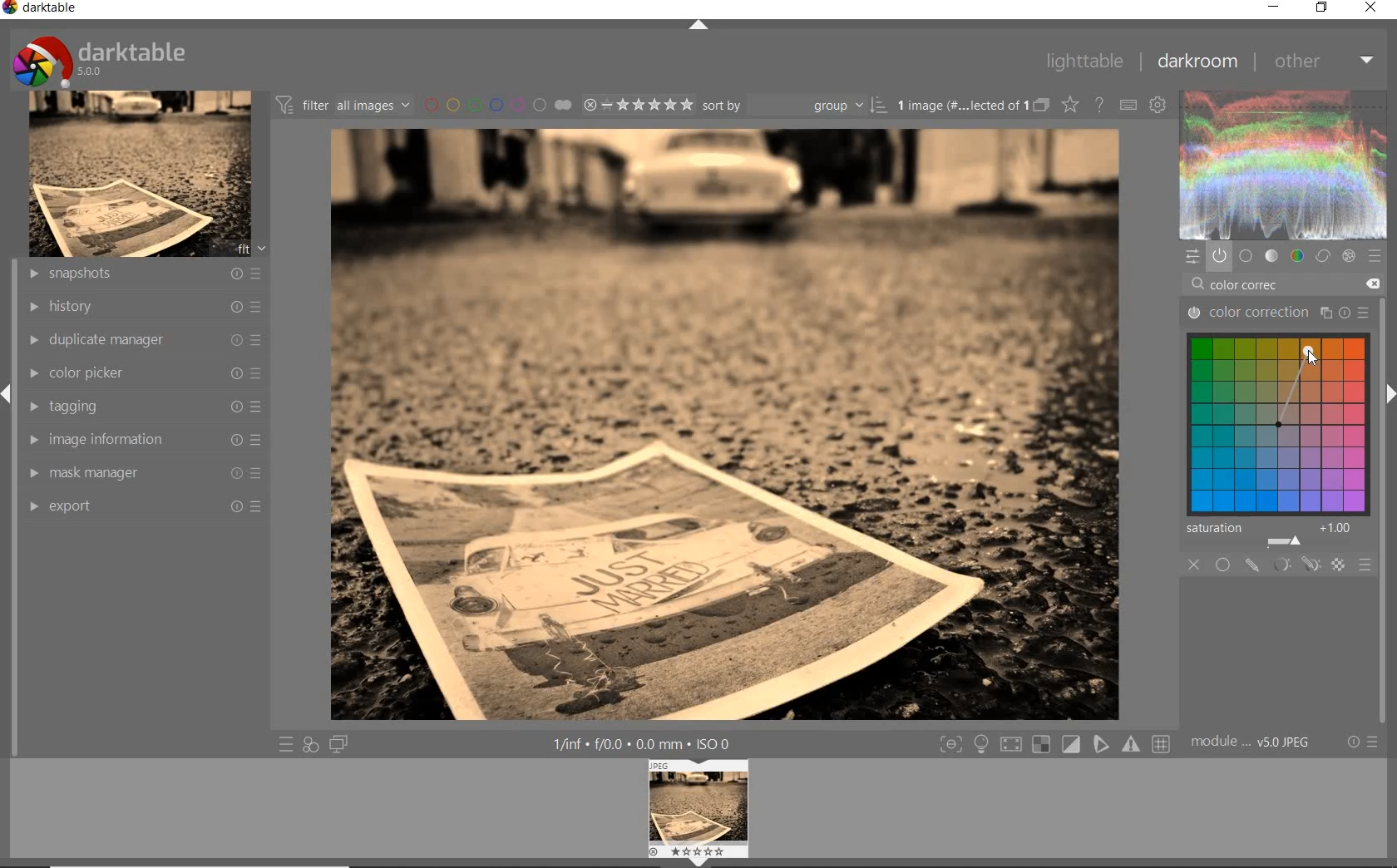 The width and height of the screenshot is (1397, 868). I want to click on expand/collapse, so click(1389, 394).